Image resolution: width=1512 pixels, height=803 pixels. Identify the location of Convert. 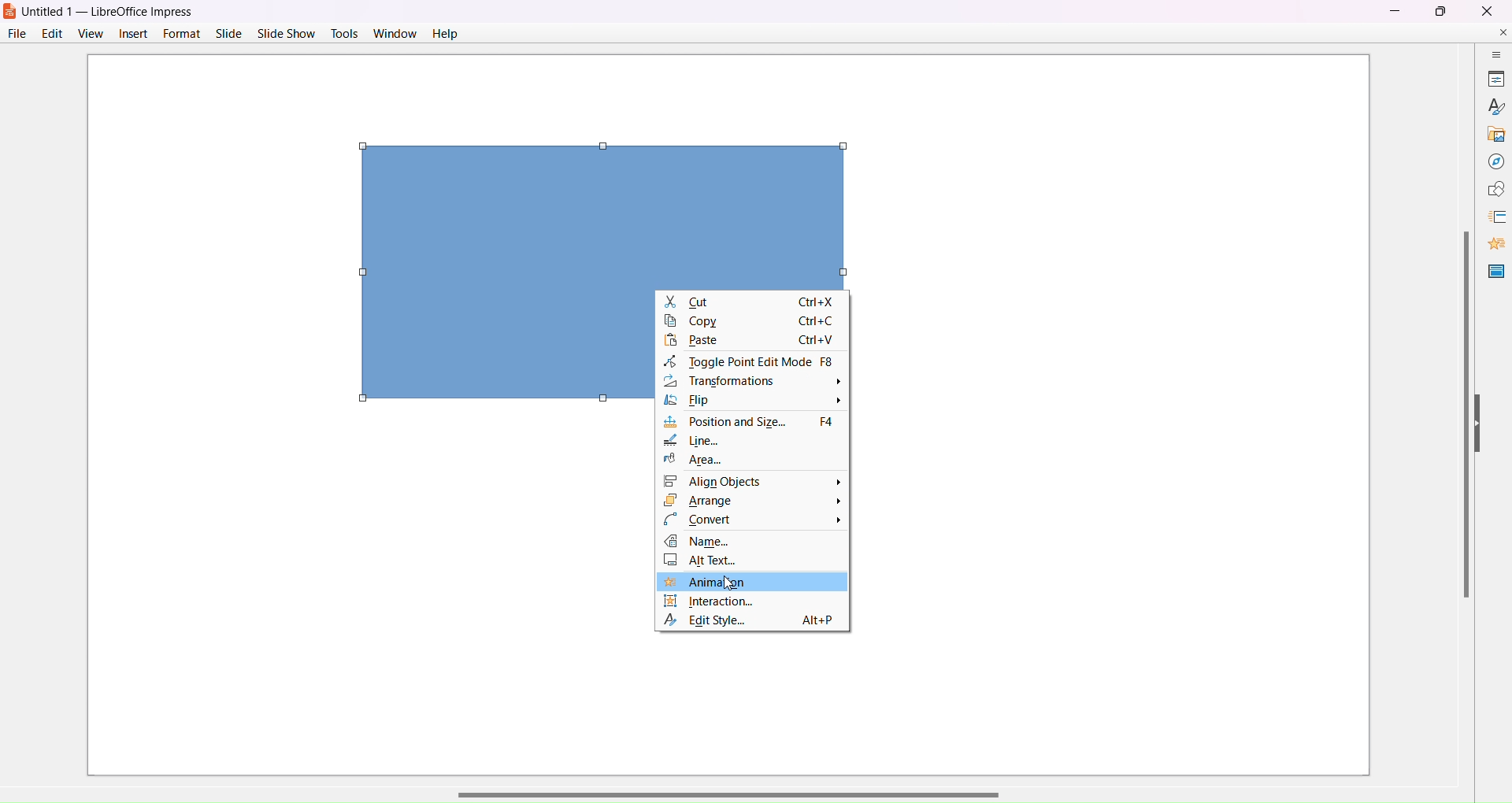
(751, 520).